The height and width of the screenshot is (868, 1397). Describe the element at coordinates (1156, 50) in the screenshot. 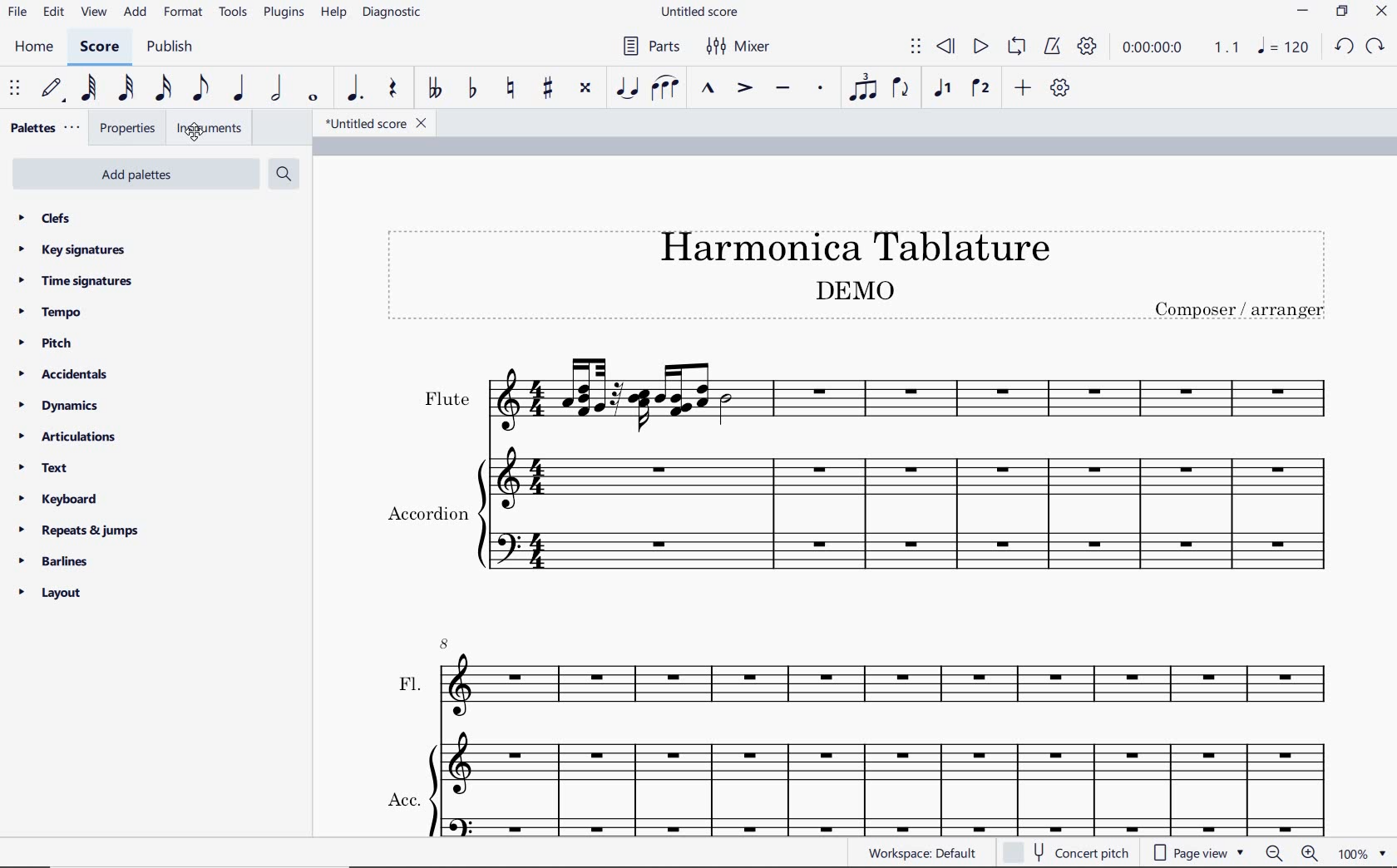

I see `playback time` at that location.